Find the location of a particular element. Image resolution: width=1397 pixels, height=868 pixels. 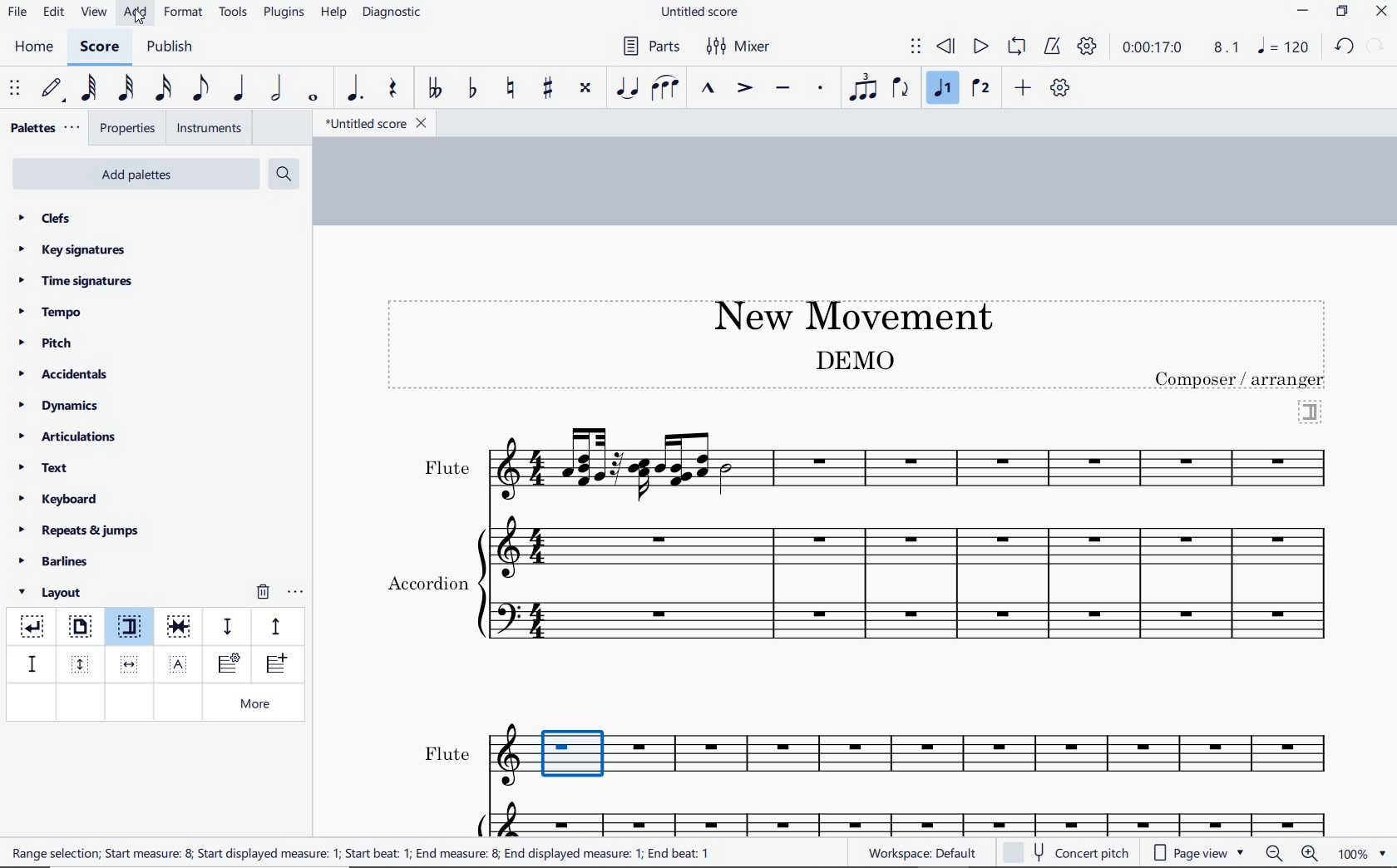

keep measure on the same system is located at coordinates (180, 627).